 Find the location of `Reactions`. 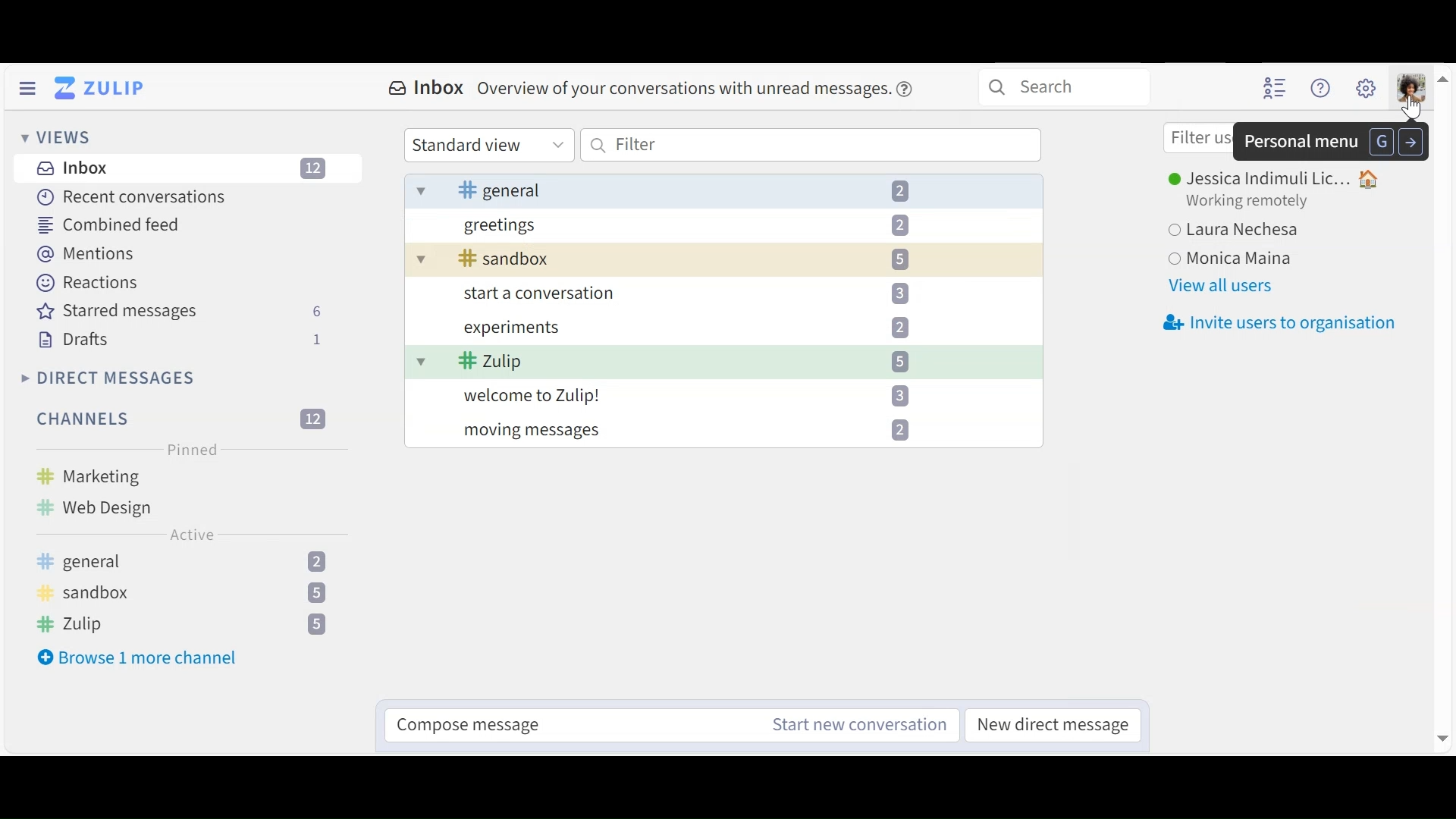

Reactions is located at coordinates (89, 282).